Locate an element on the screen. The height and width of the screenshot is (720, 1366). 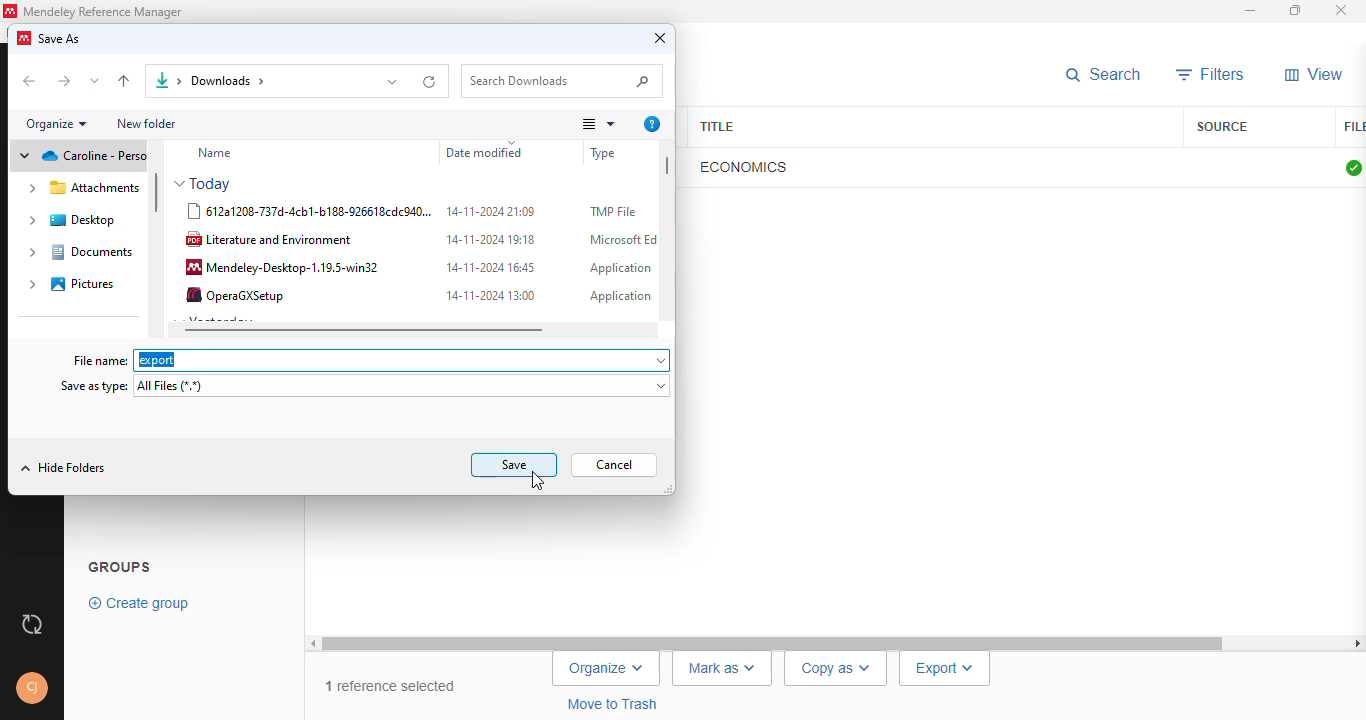
application is located at coordinates (622, 268).